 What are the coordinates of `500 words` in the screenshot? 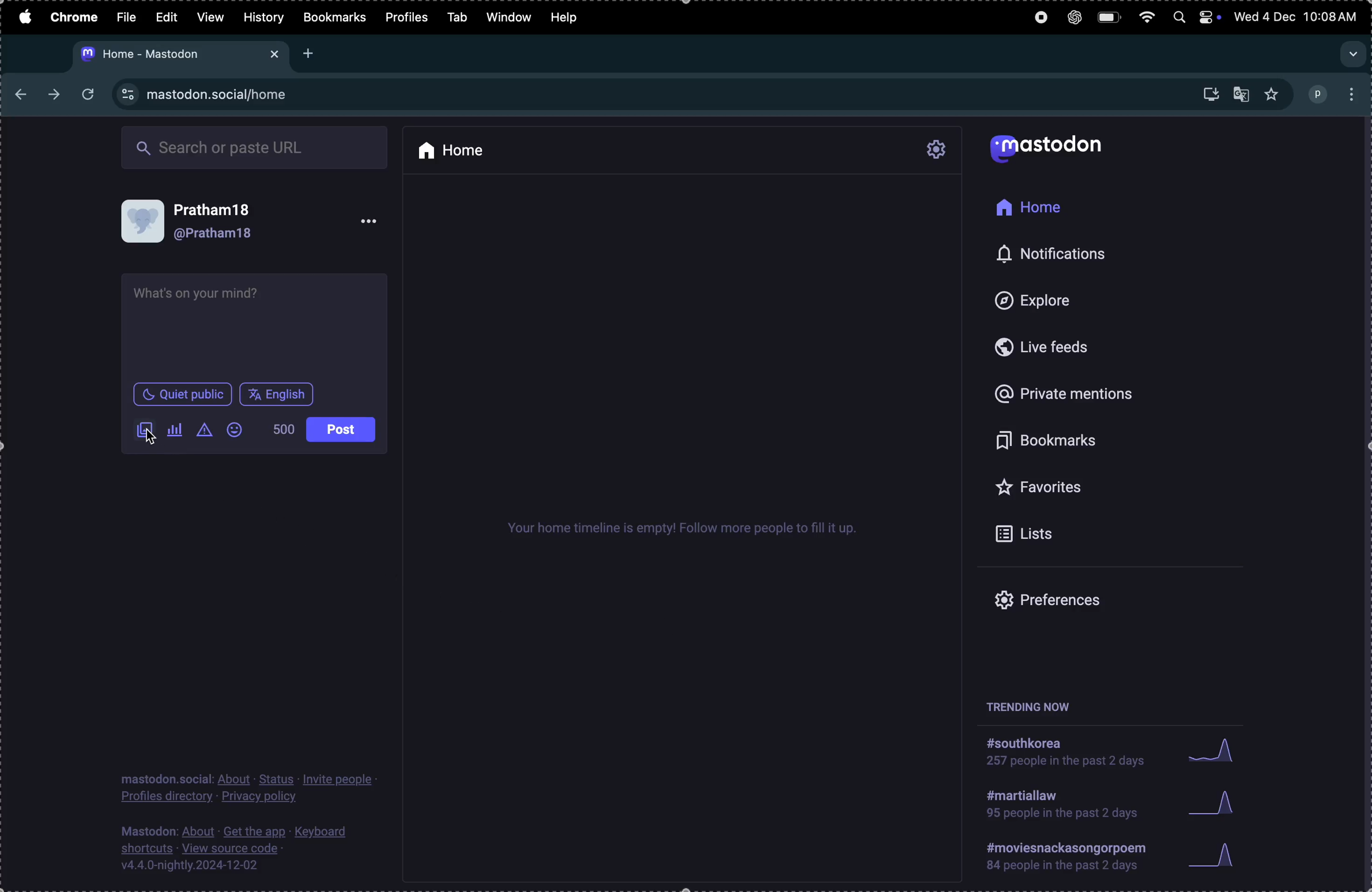 It's located at (283, 433).